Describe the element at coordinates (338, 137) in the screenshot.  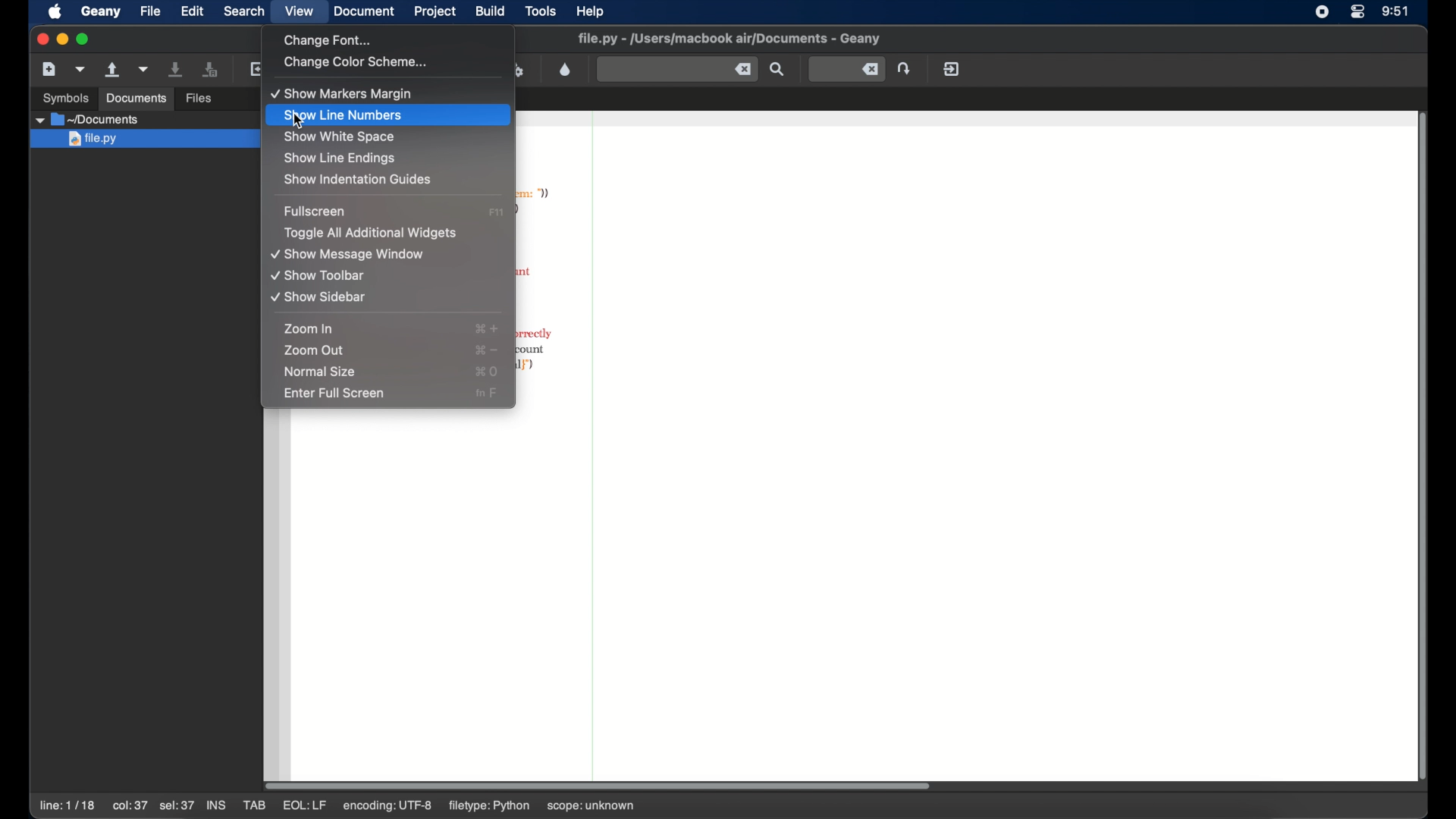
I see `show white space` at that location.